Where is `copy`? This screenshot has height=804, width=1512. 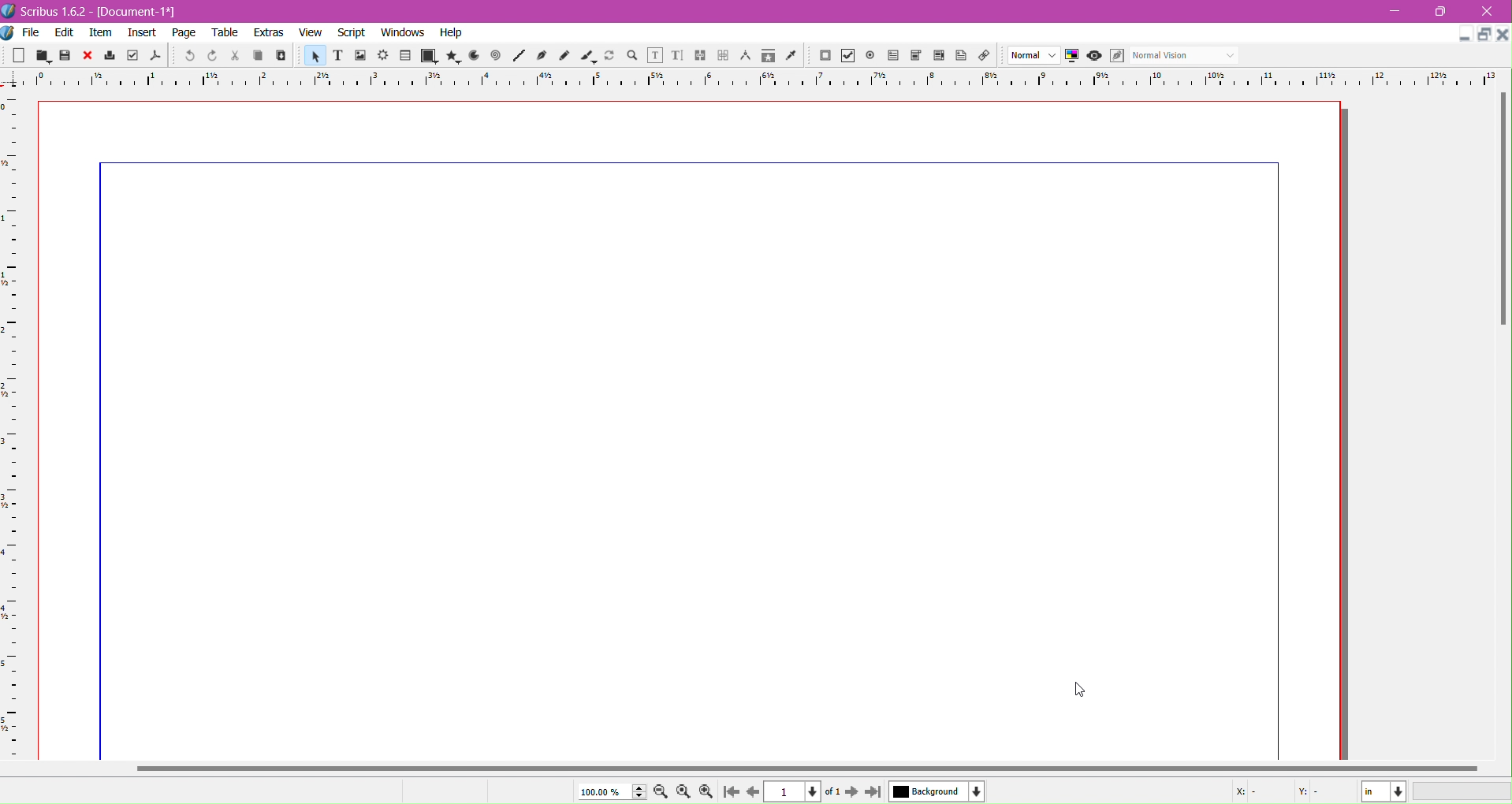
copy is located at coordinates (255, 57).